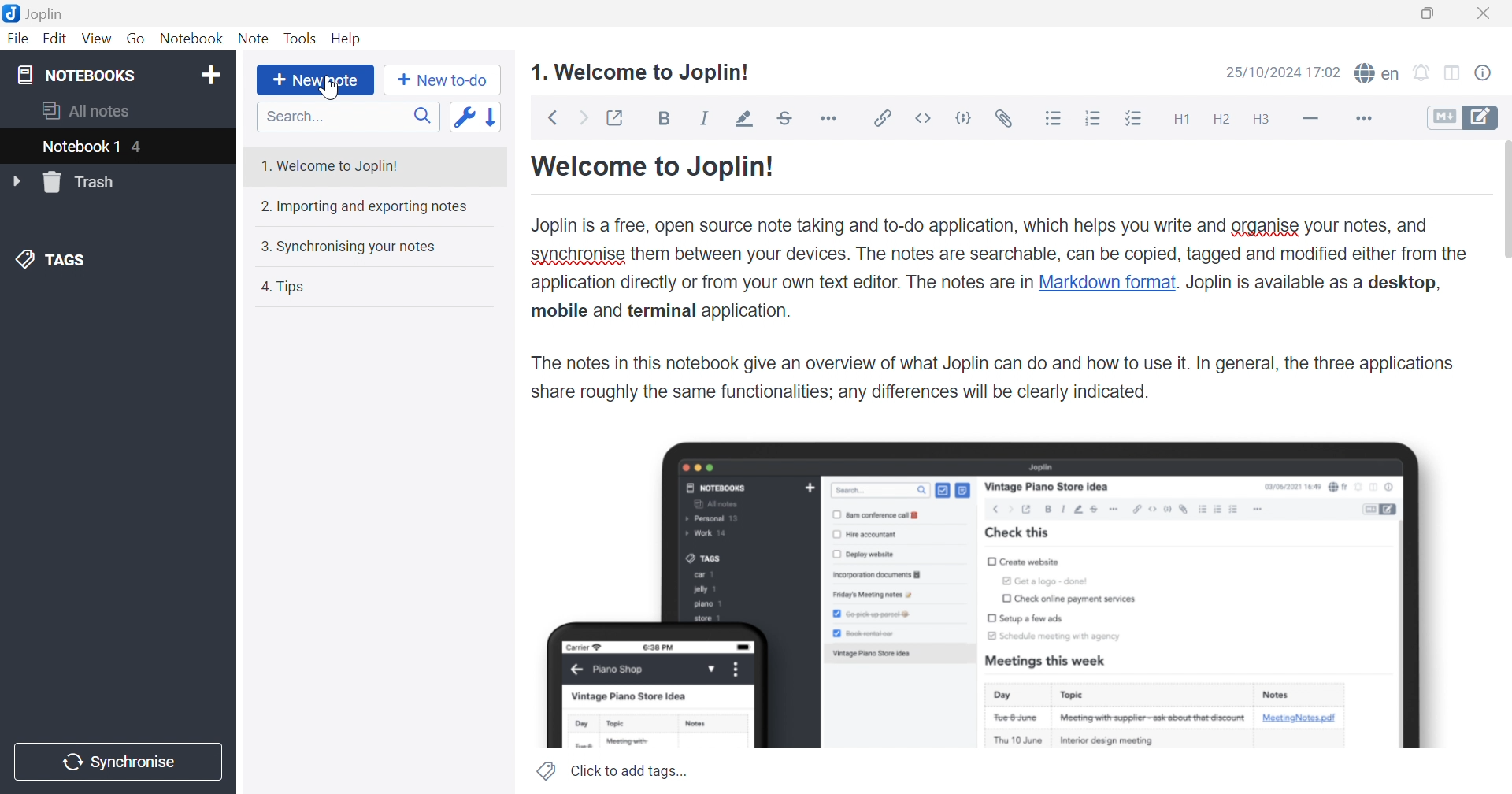 This screenshot has width=1512, height=794. I want to click on 3. Synchronising your notes, so click(352, 245).